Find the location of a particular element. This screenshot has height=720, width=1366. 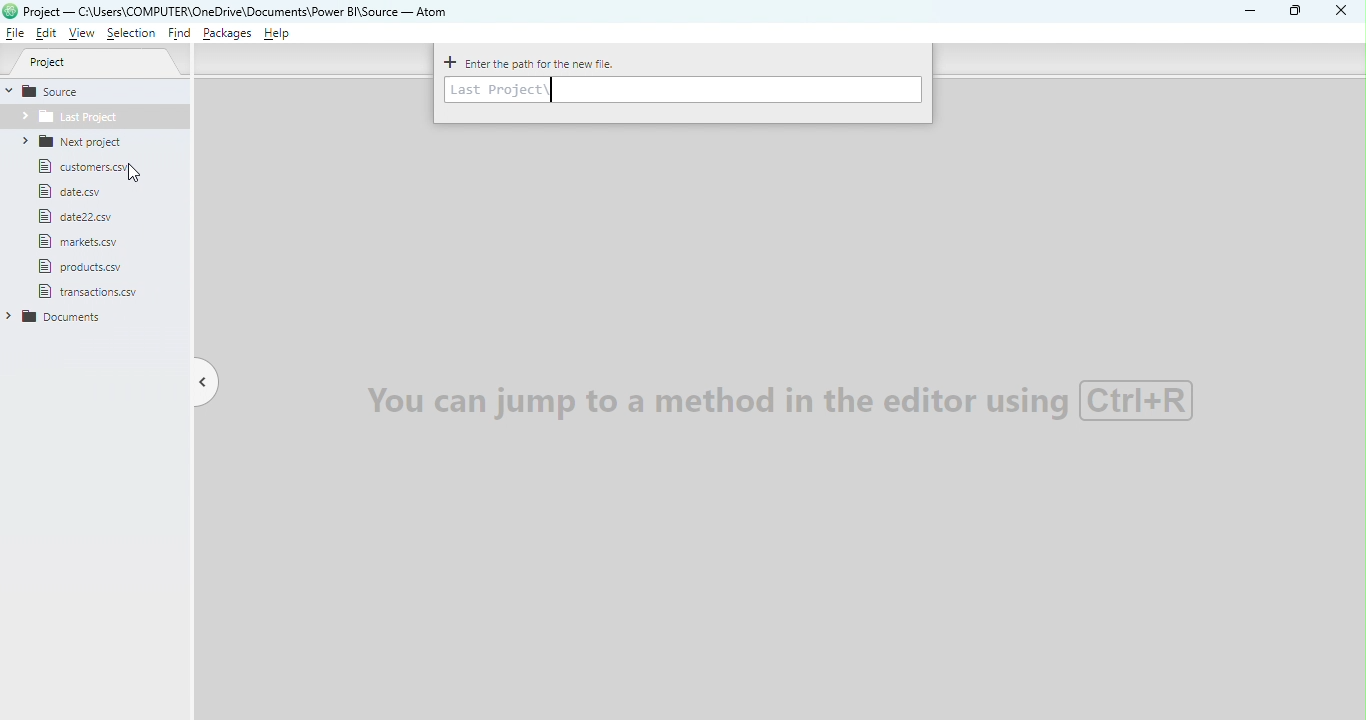

View is located at coordinates (78, 34).